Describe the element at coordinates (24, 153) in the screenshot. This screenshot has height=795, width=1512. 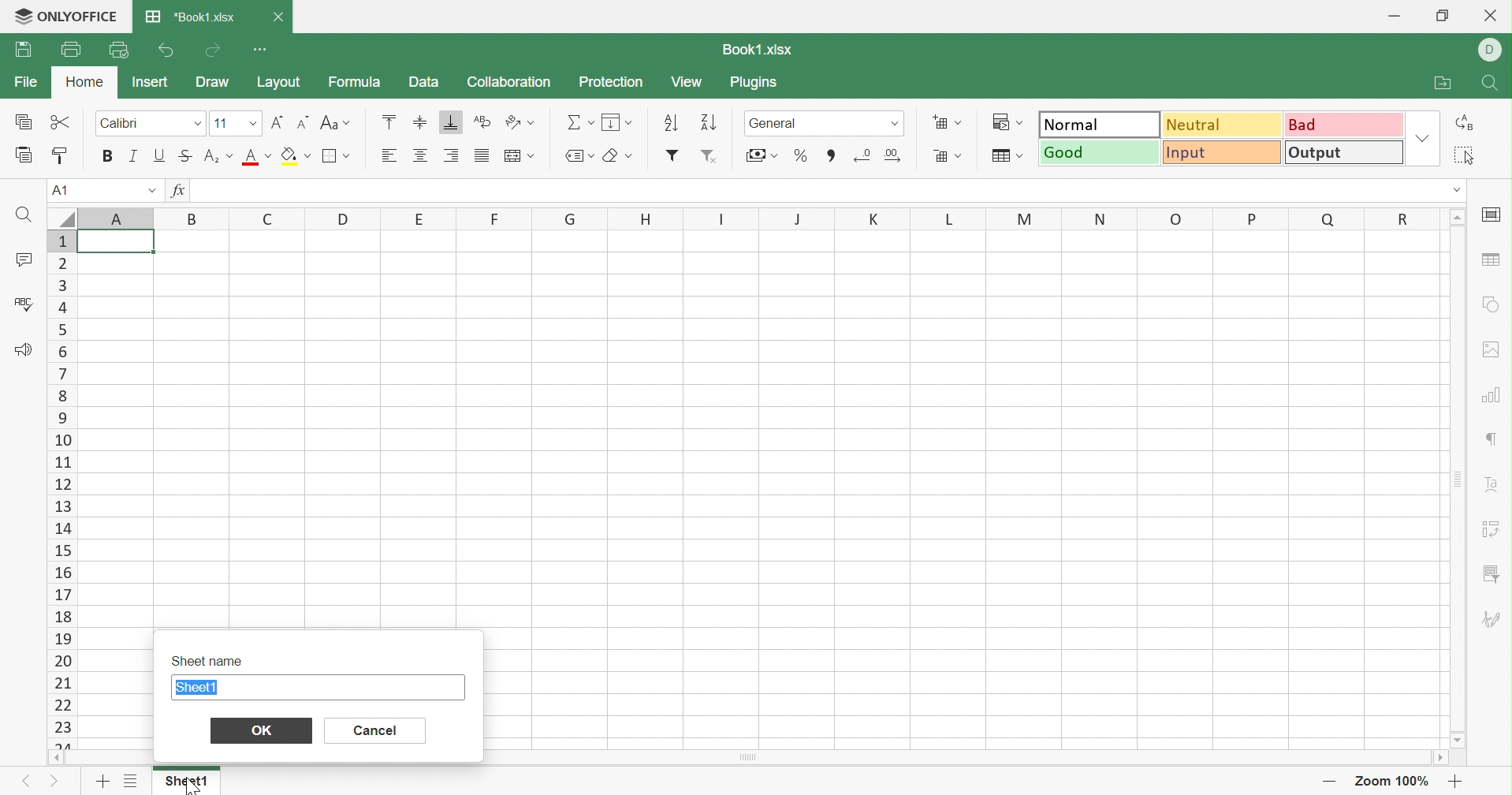
I see `Paste` at that location.